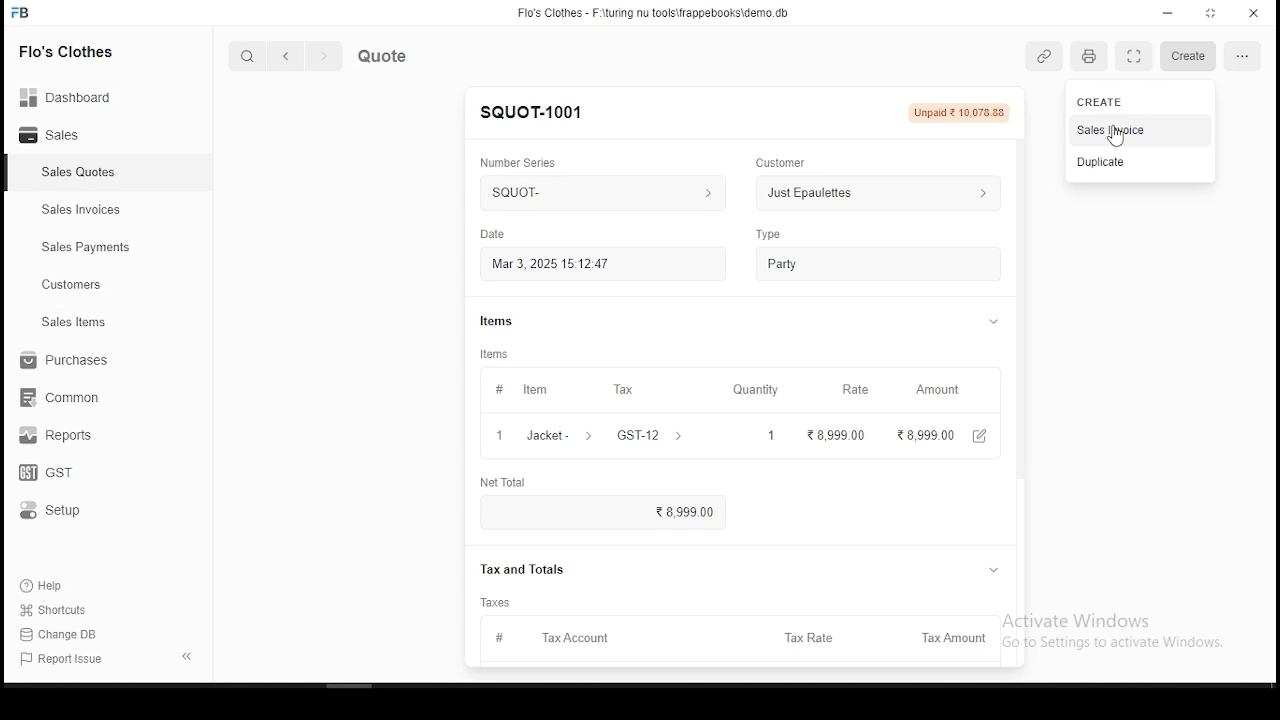 This screenshot has height=720, width=1280. I want to click on tax amount, so click(949, 636).